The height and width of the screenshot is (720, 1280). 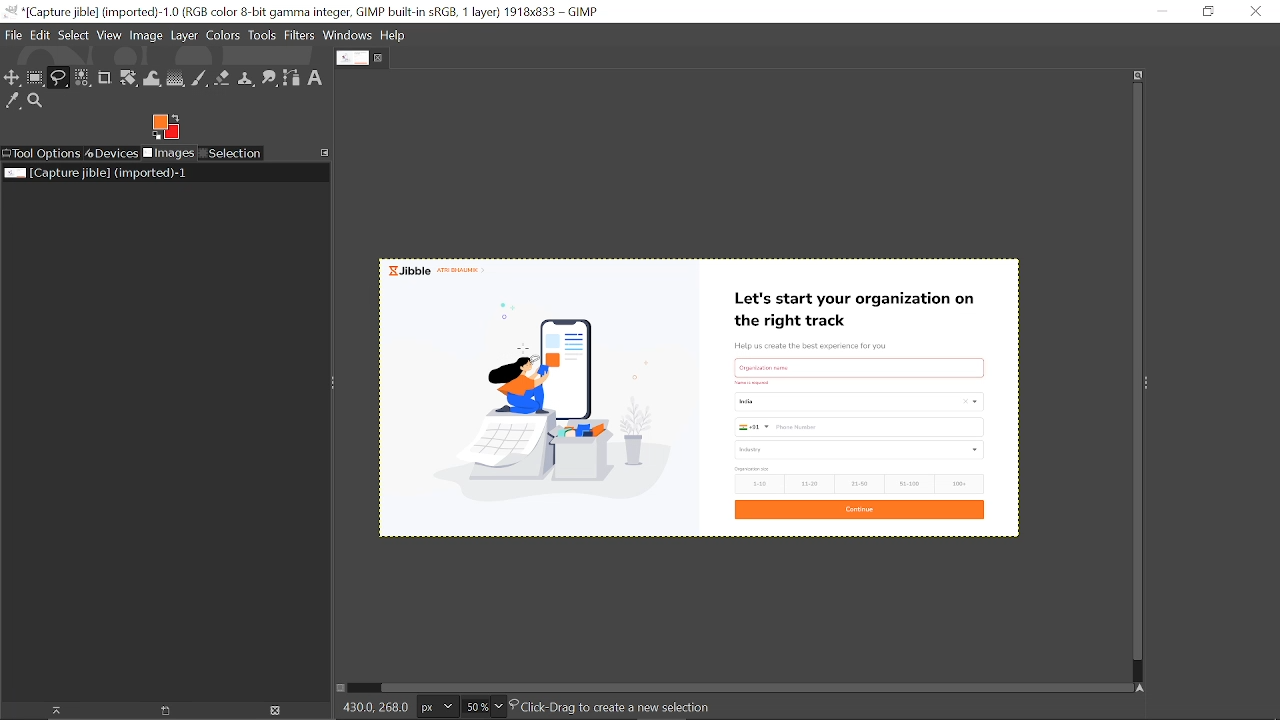 What do you see at coordinates (110, 35) in the screenshot?
I see `View` at bounding box center [110, 35].